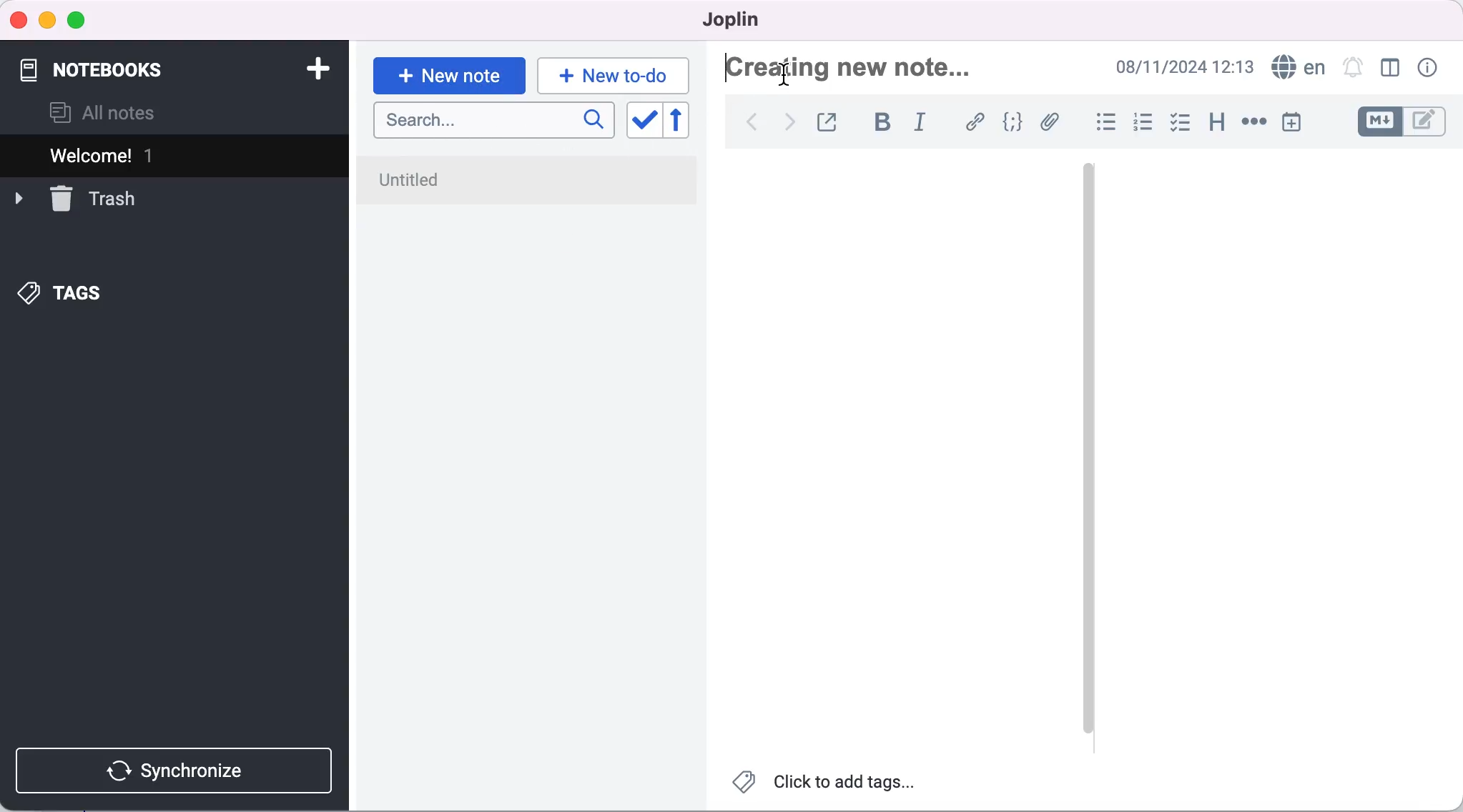 This screenshot has height=812, width=1463. Describe the element at coordinates (924, 124) in the screenshot. I see `italic` at that location.